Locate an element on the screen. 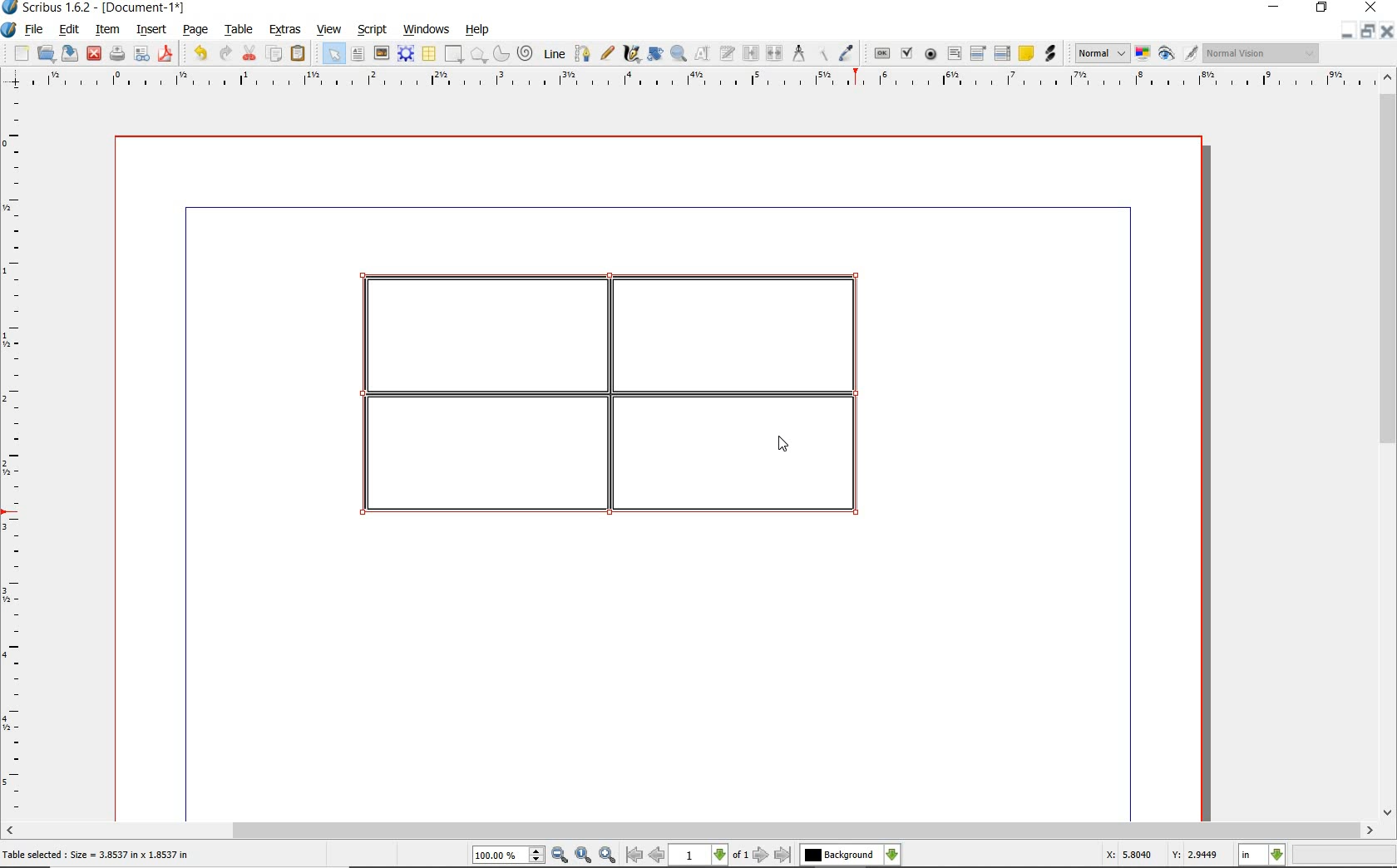  select current zoom level is located at coordinates (508, 856).